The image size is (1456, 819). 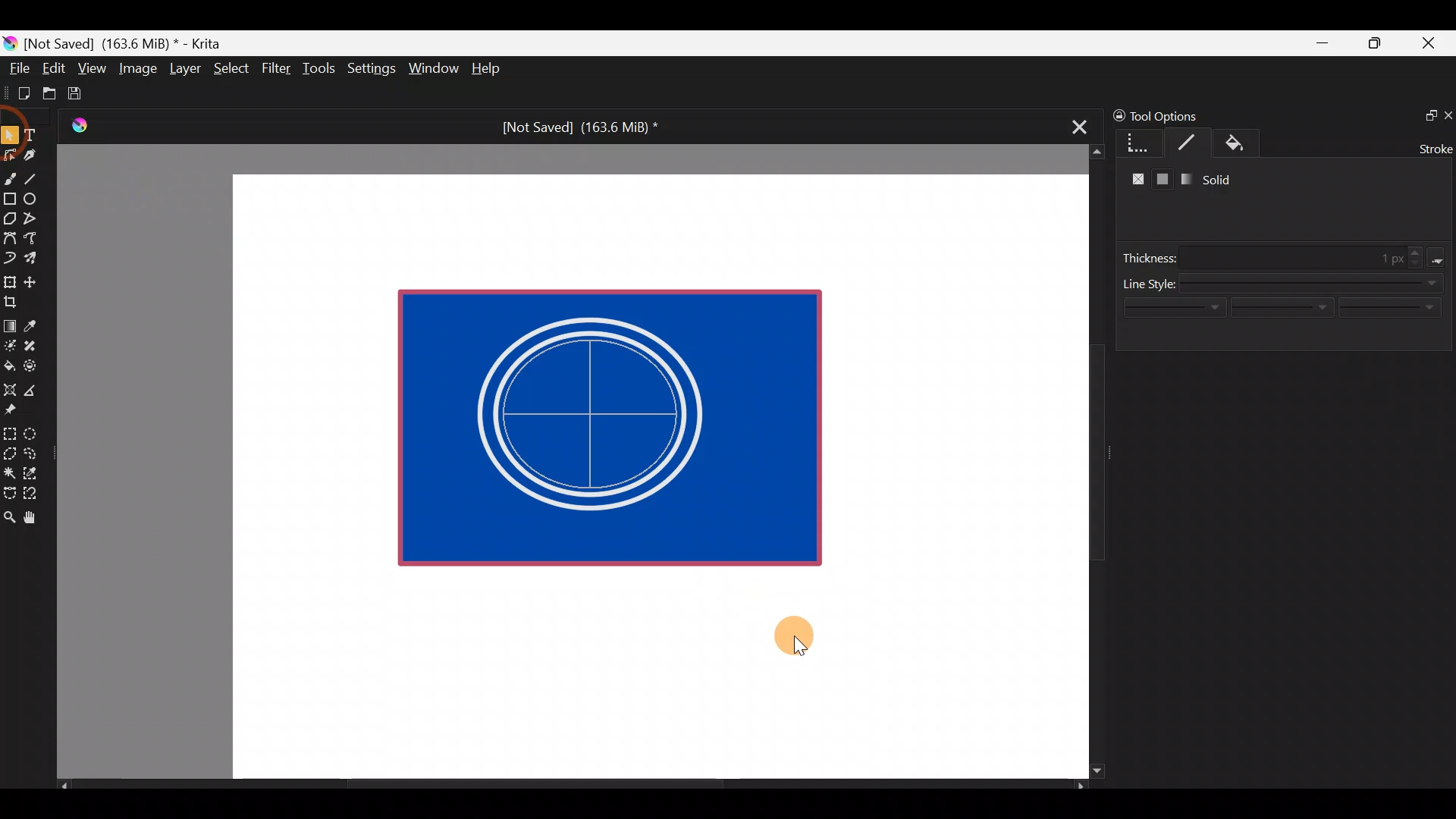 I want to click on [Not Saved] (163.6 MiB) *, so click(x=574, y=127).